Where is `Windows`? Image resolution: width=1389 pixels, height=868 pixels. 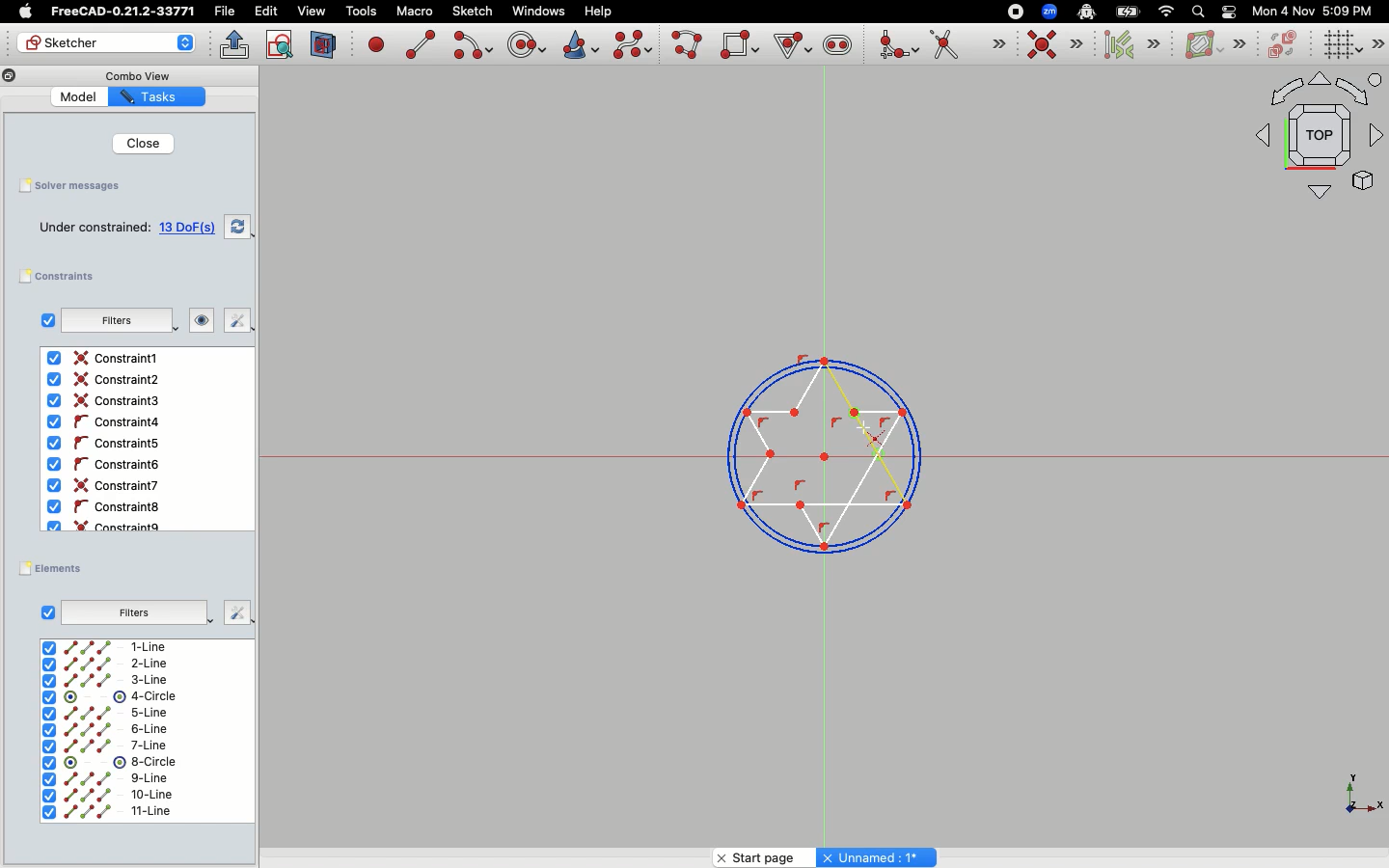
Windows is located at coordinates (538, 12).